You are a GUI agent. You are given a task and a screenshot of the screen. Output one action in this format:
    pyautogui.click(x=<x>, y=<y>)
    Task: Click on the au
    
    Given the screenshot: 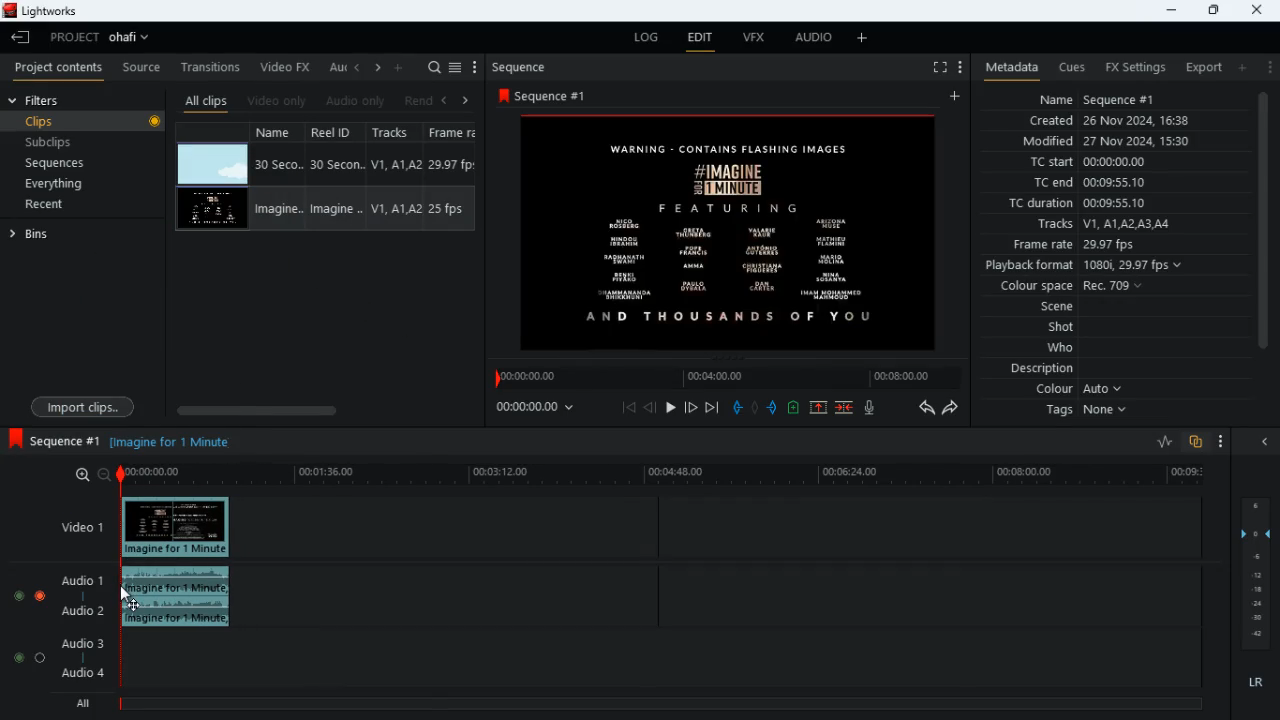 What is the action you would take?
    pyautogui.click(x=336, y=67)
    